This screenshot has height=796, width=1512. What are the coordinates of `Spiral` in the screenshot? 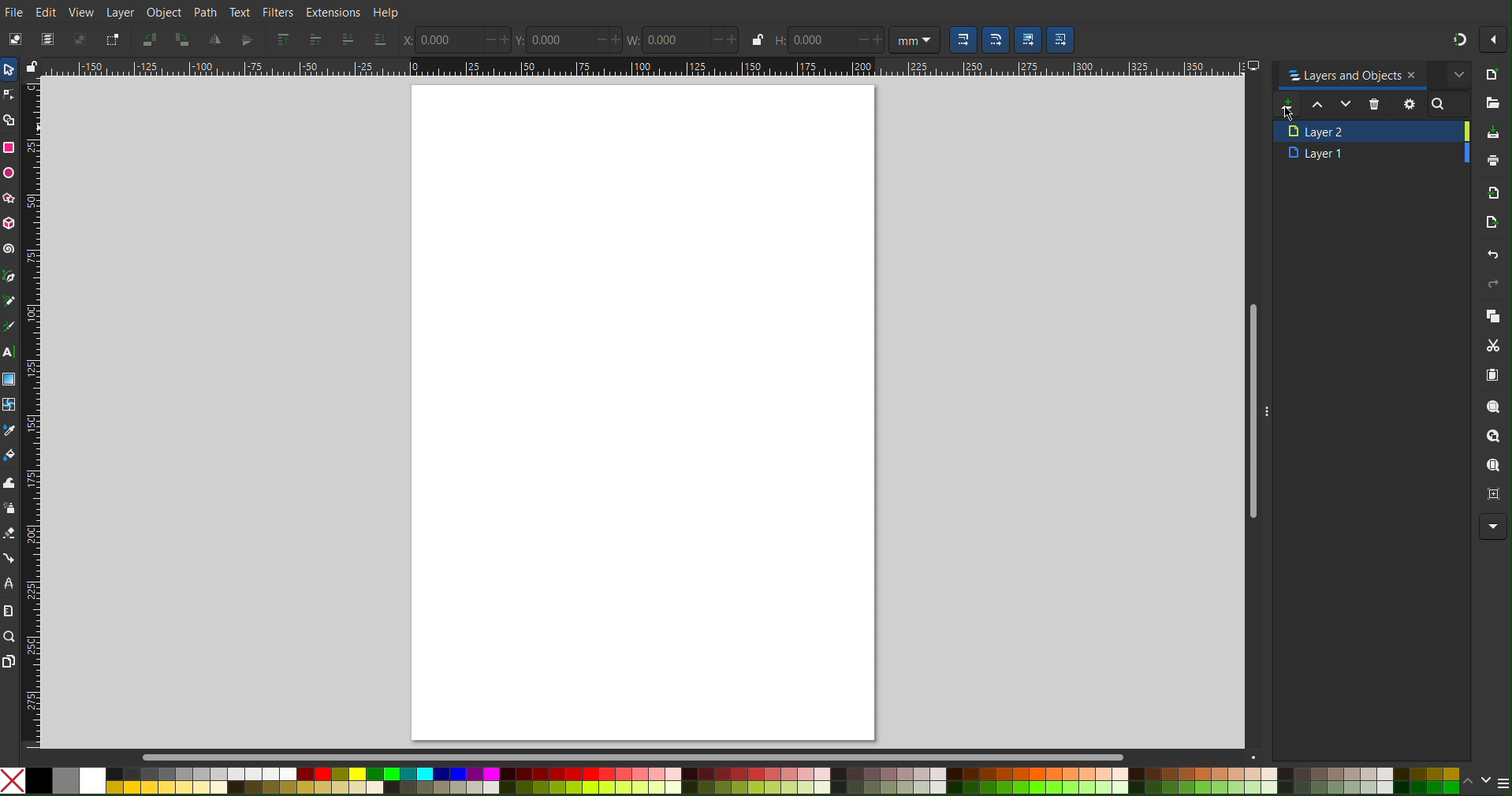 It's located at (10, 246).